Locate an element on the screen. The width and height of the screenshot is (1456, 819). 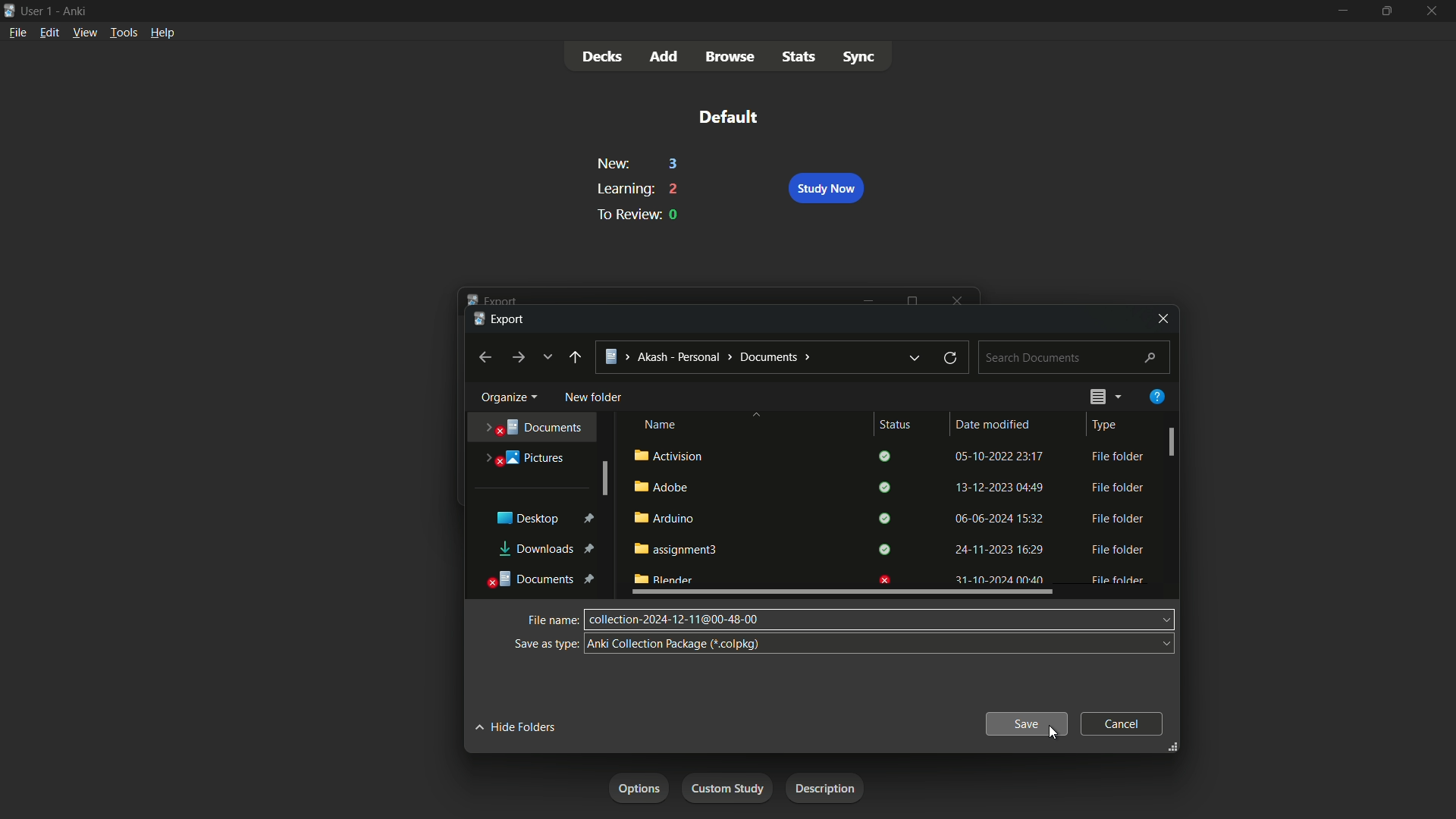
save as type is located at coordinates (544, 644).